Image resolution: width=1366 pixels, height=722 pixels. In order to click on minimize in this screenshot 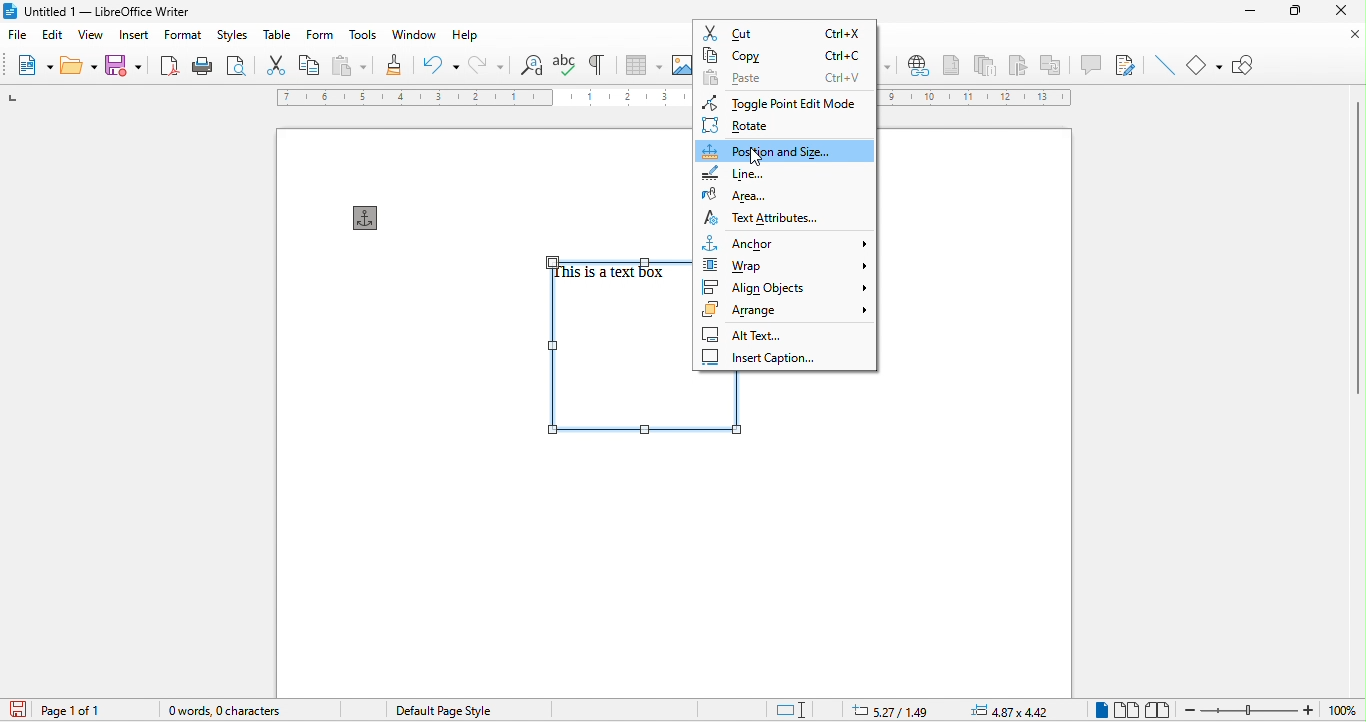, I will do `click(1250, 11)`.